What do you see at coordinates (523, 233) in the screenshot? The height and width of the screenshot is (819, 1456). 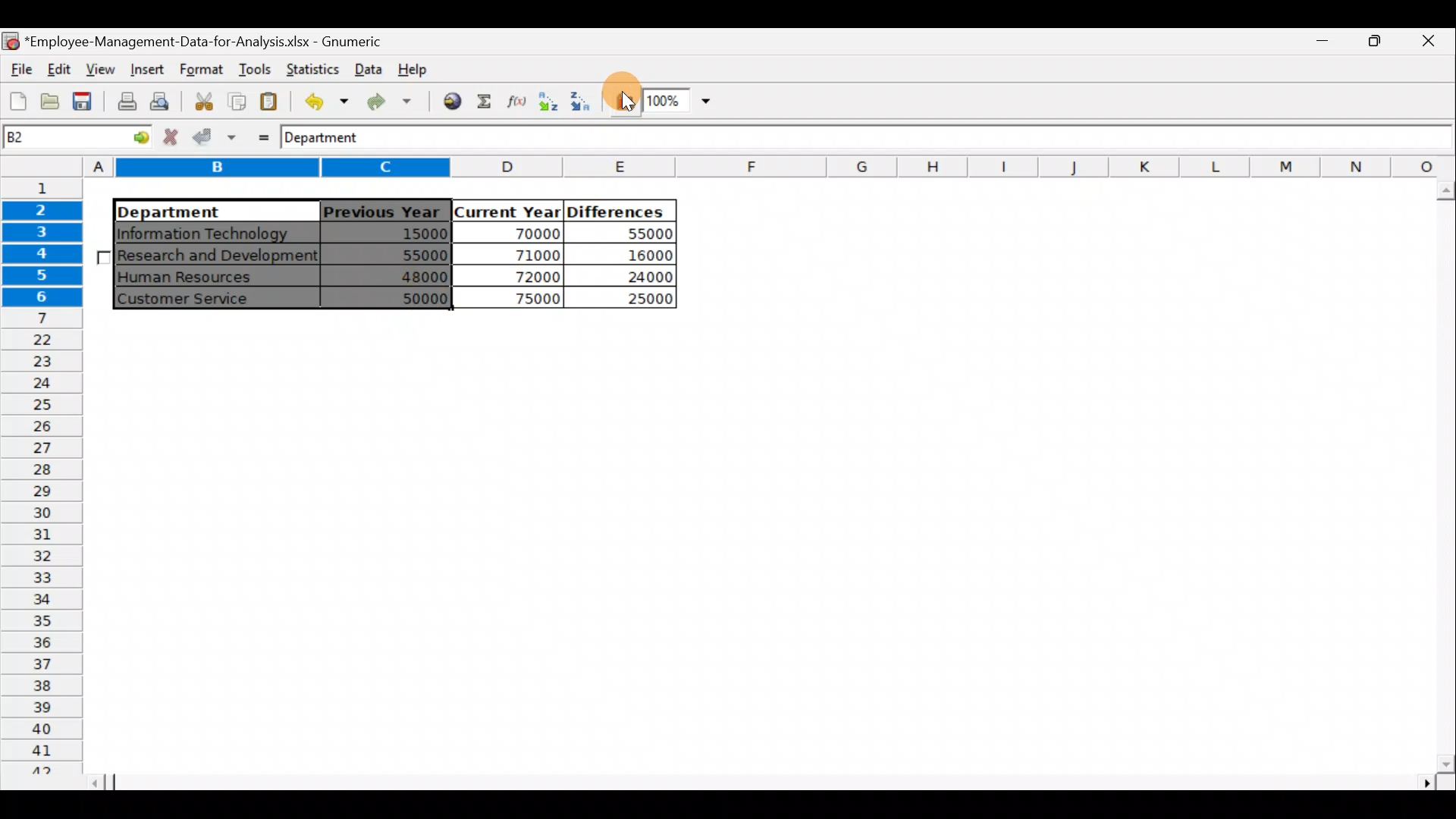 I see `70000` at bounding box center [523, 233].